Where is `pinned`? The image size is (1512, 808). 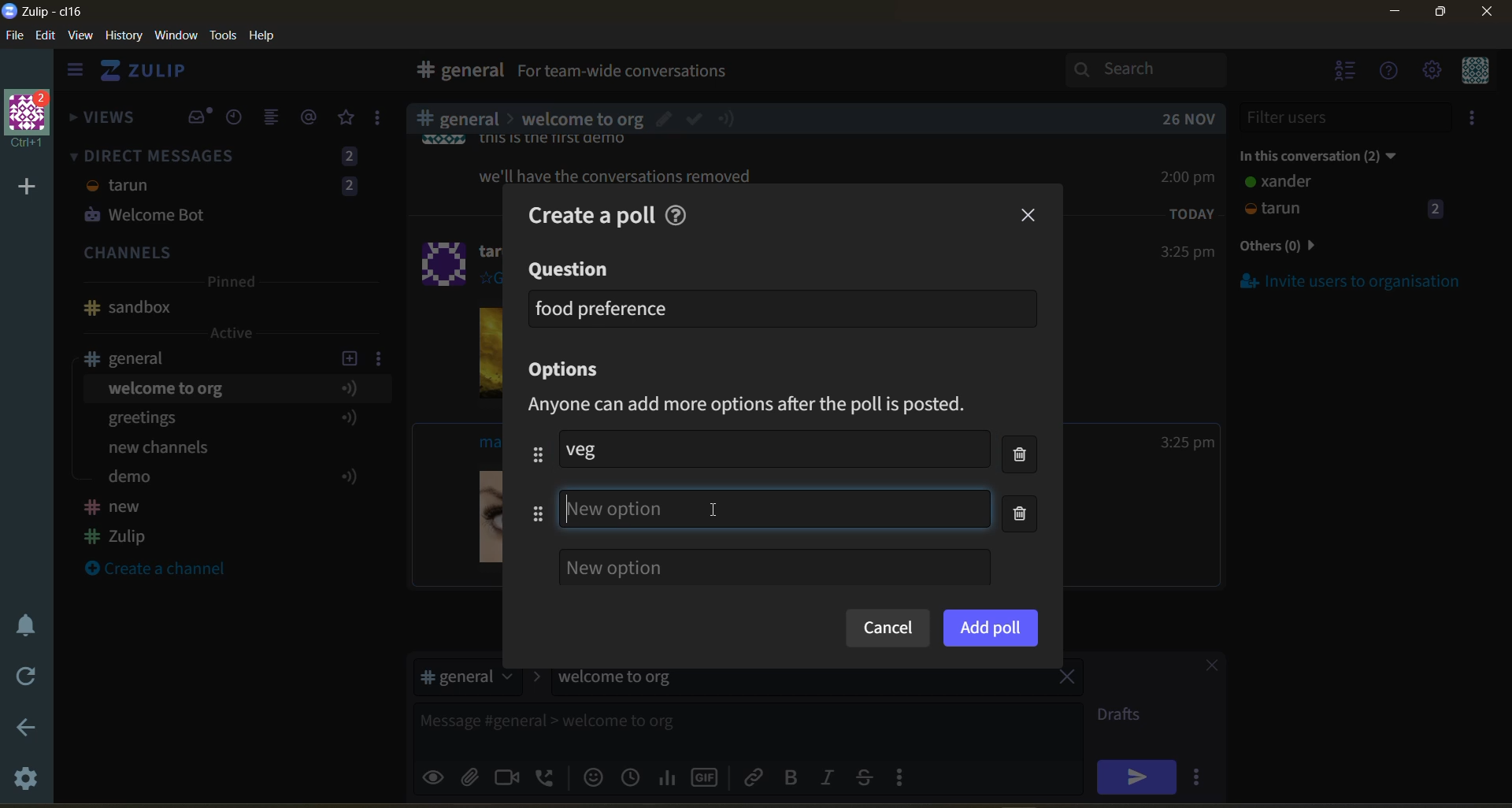
pinned is located at coordinates (230, 284).